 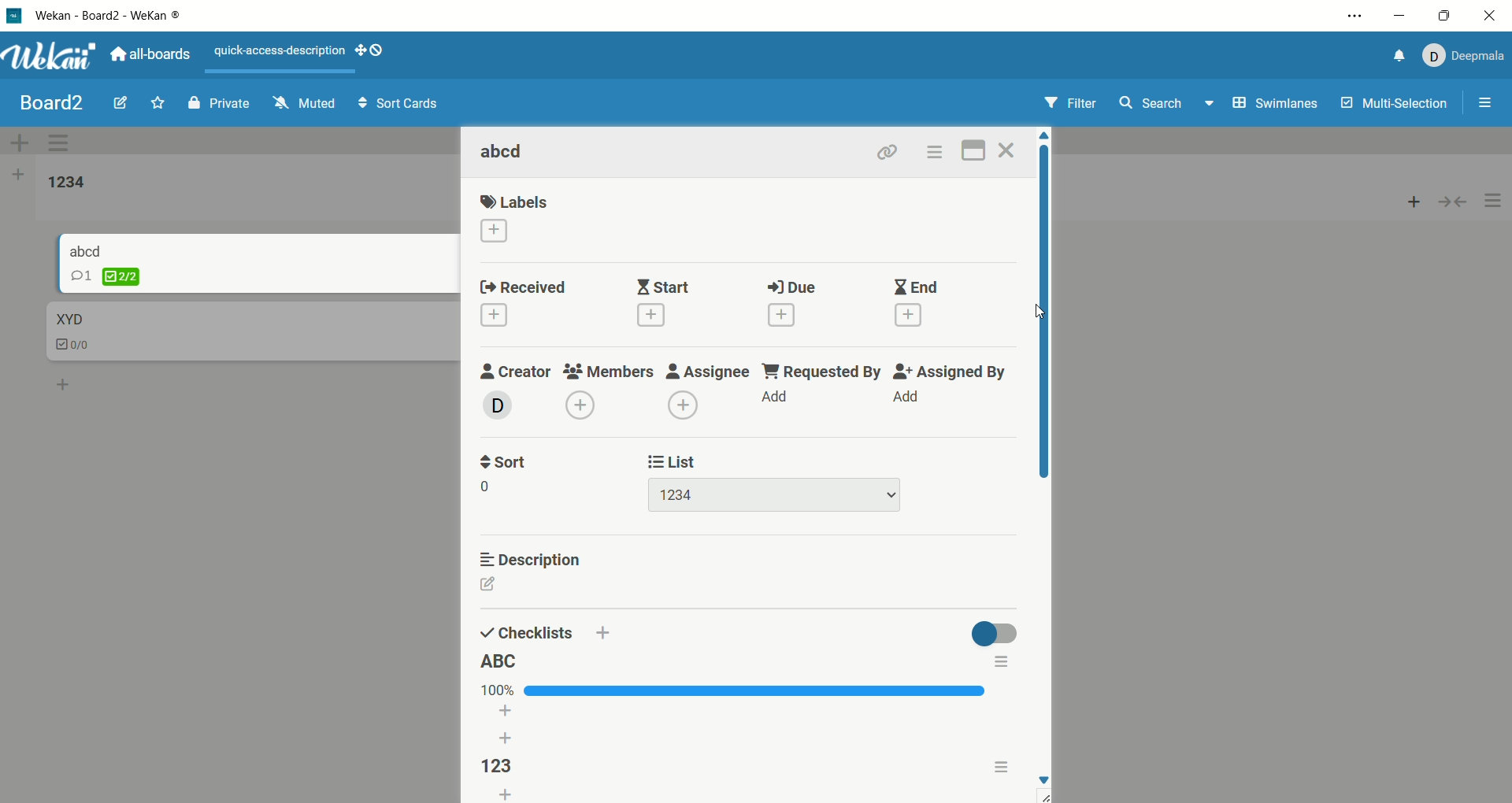 I want to click on add list, so click(x=18, y=177).